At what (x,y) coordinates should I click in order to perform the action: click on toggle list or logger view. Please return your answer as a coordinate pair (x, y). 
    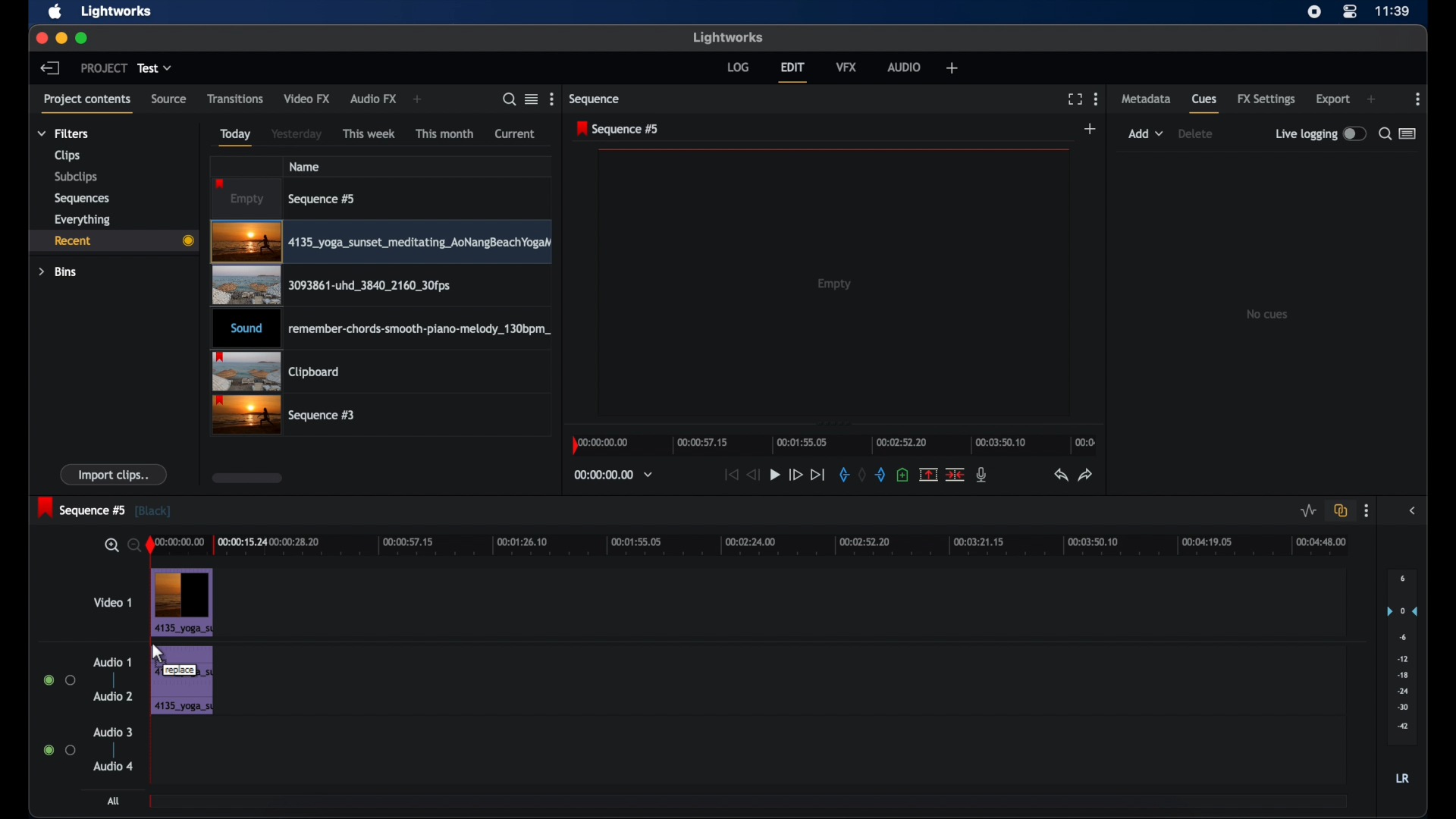
    Looking at the image, I should click on (1410, 133).